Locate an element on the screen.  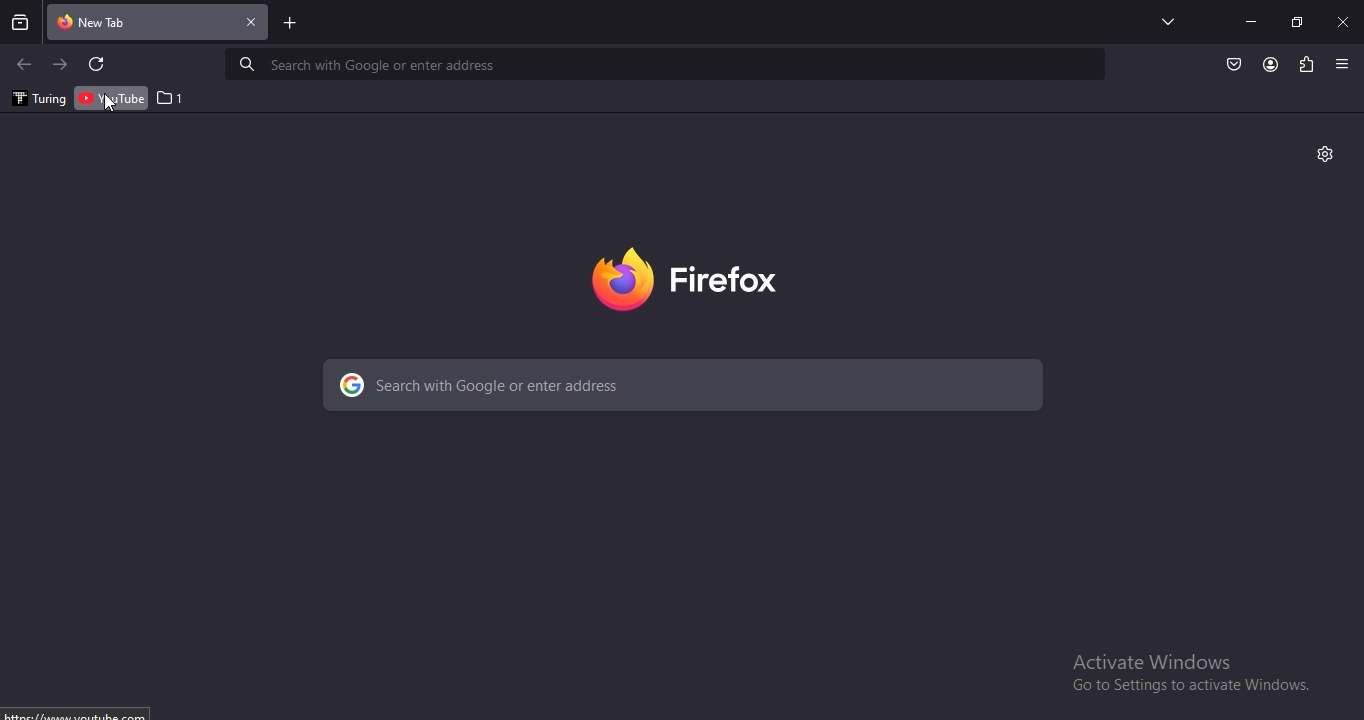
current tab is located at coordinates (159, 23).